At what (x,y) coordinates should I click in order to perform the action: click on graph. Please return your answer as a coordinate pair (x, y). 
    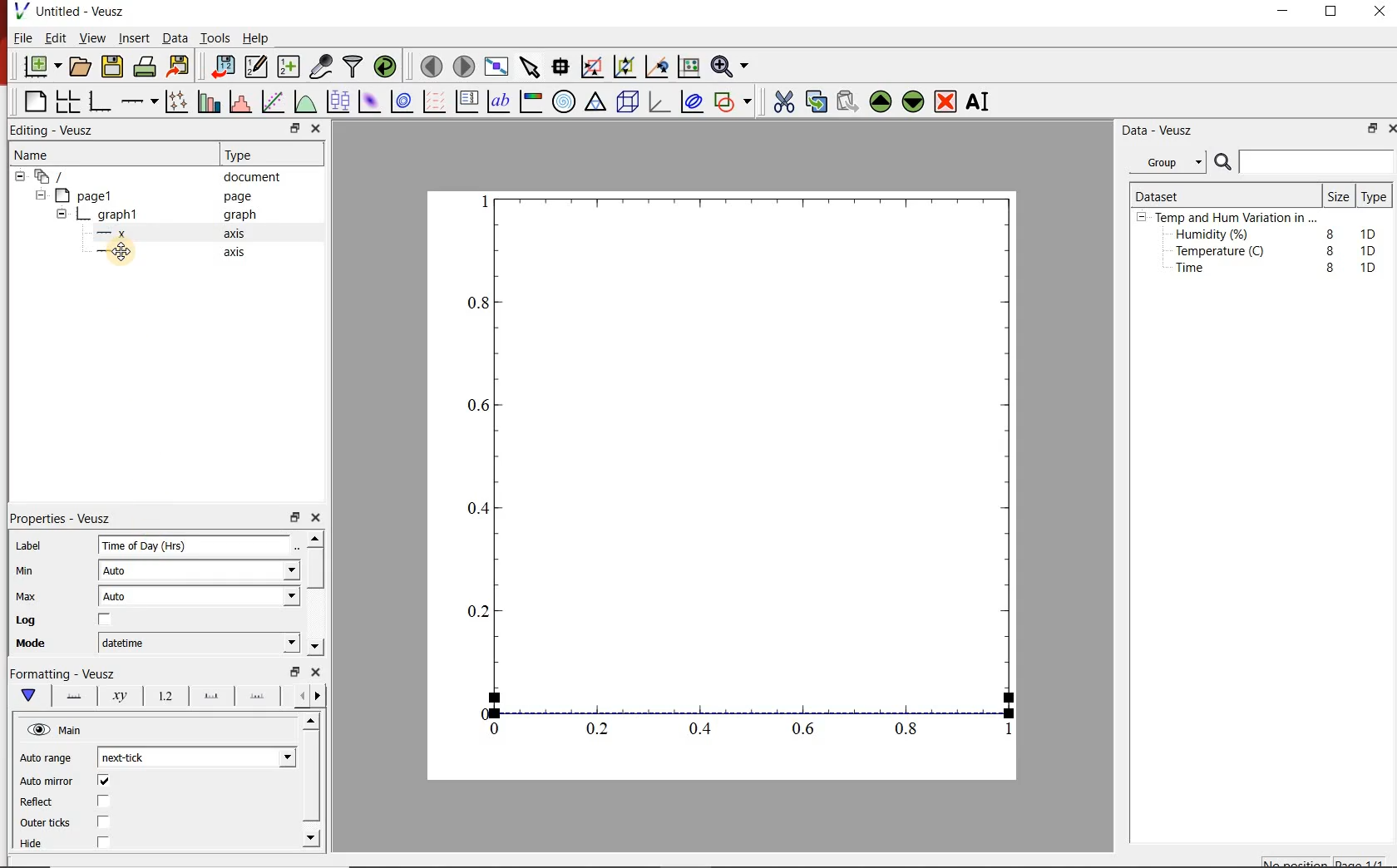
    Looking at the image, I should click on (119, 214).